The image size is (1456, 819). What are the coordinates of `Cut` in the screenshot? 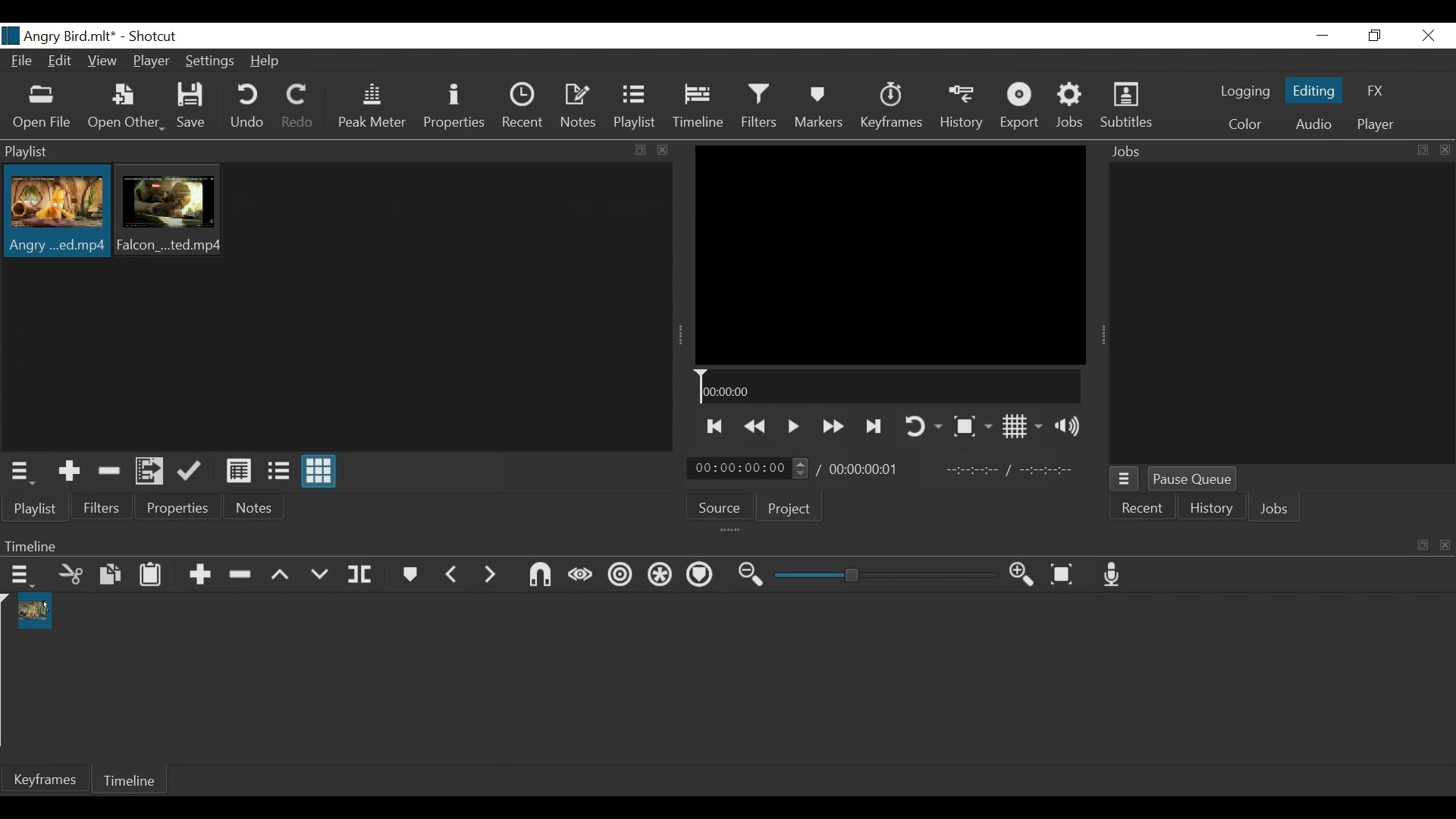 It's located at (71, 576).